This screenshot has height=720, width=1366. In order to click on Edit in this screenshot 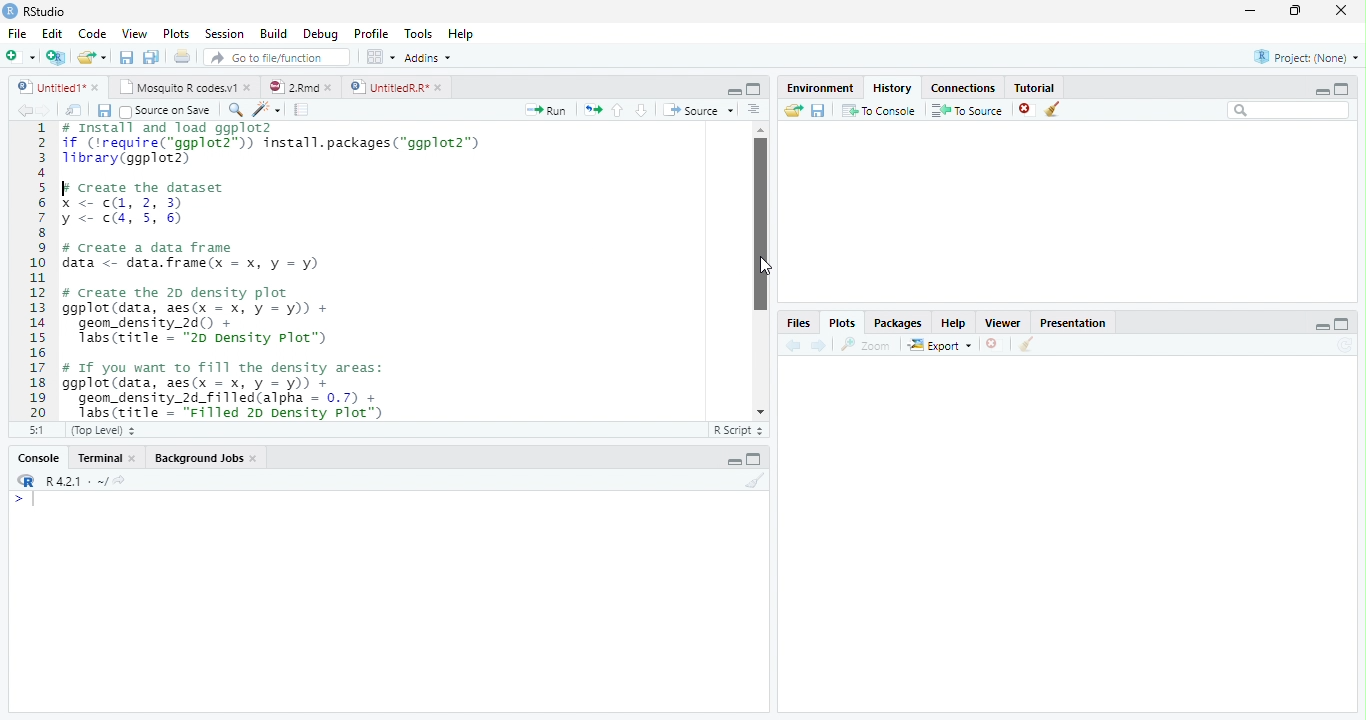, I will do `click(52, 34)`.